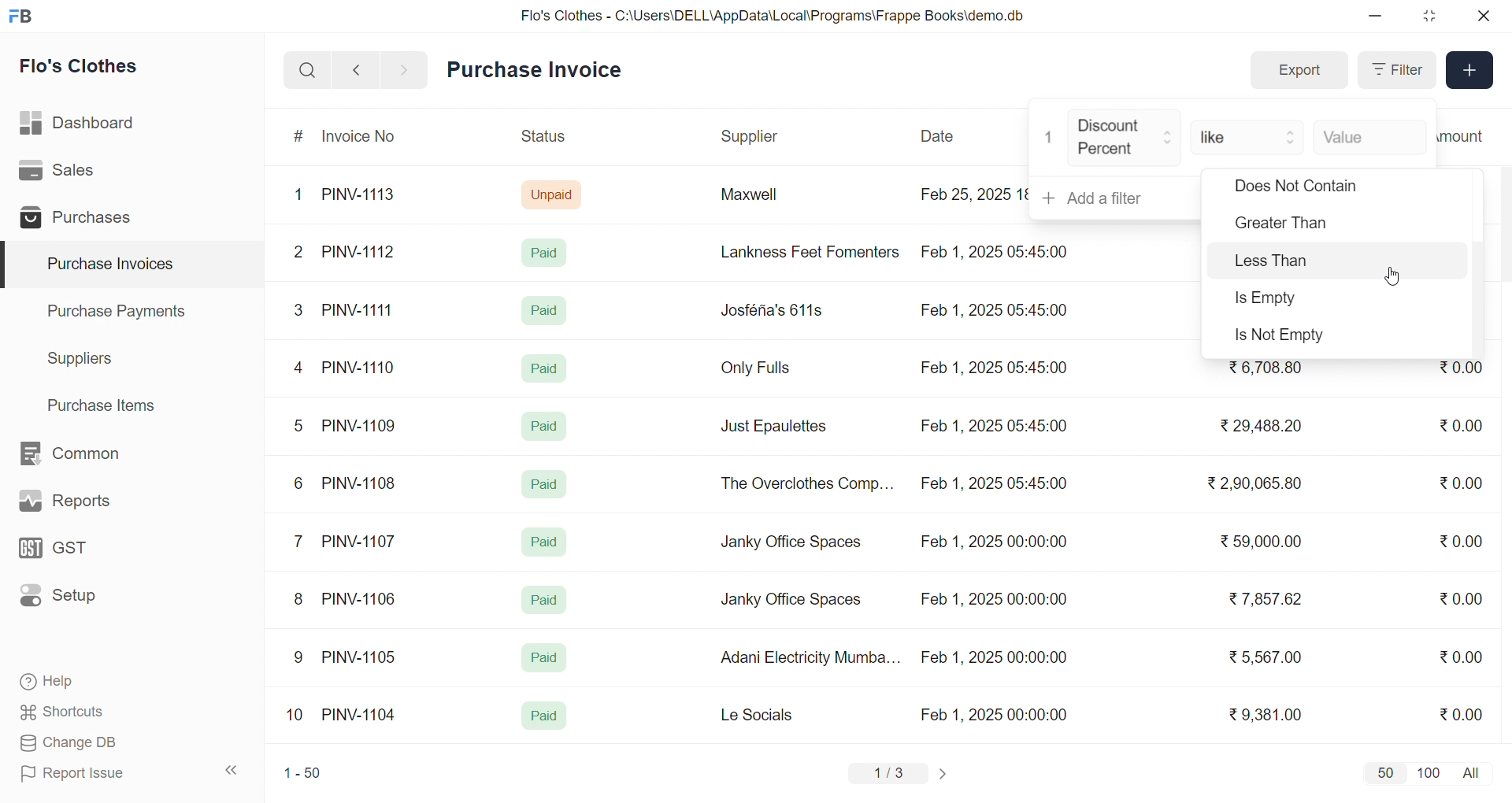 Image resolution: width=1512 pixels, height=803 pixels. Describe the element at coordinates (542, 139) in the screenshot. I see `Status` at that location.